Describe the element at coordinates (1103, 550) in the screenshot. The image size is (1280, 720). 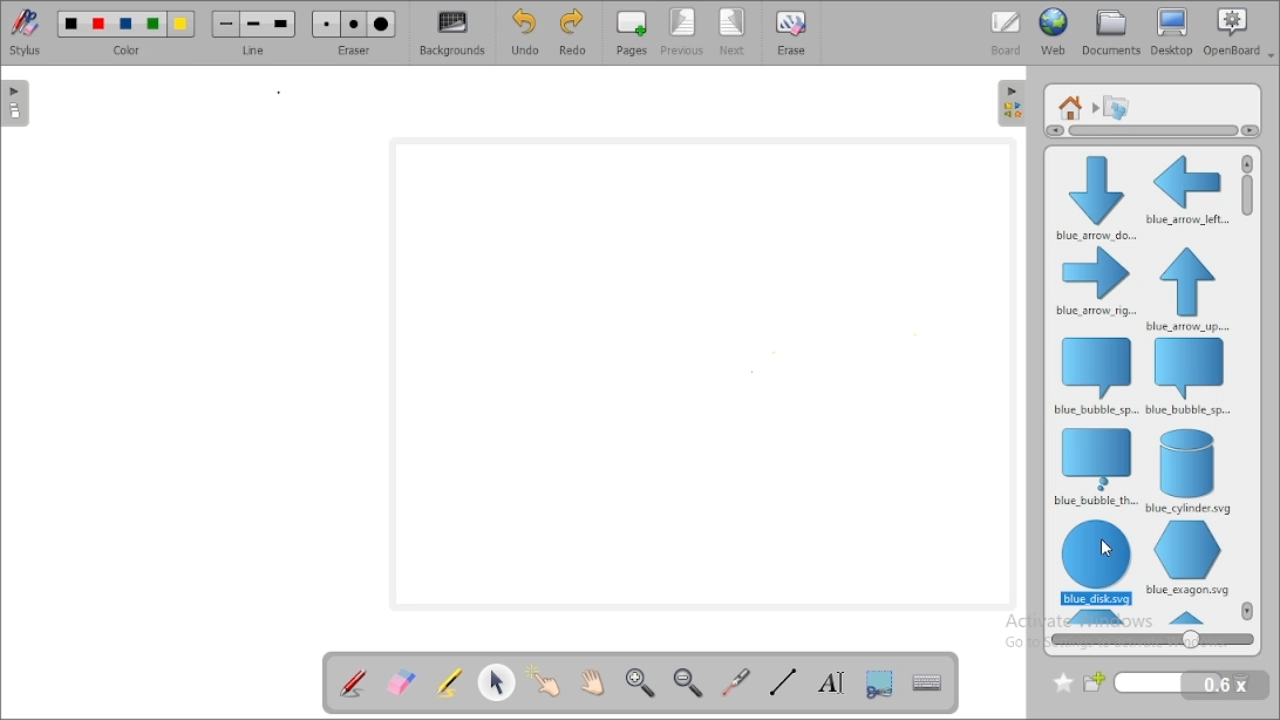
I see `mouse down` at that location.